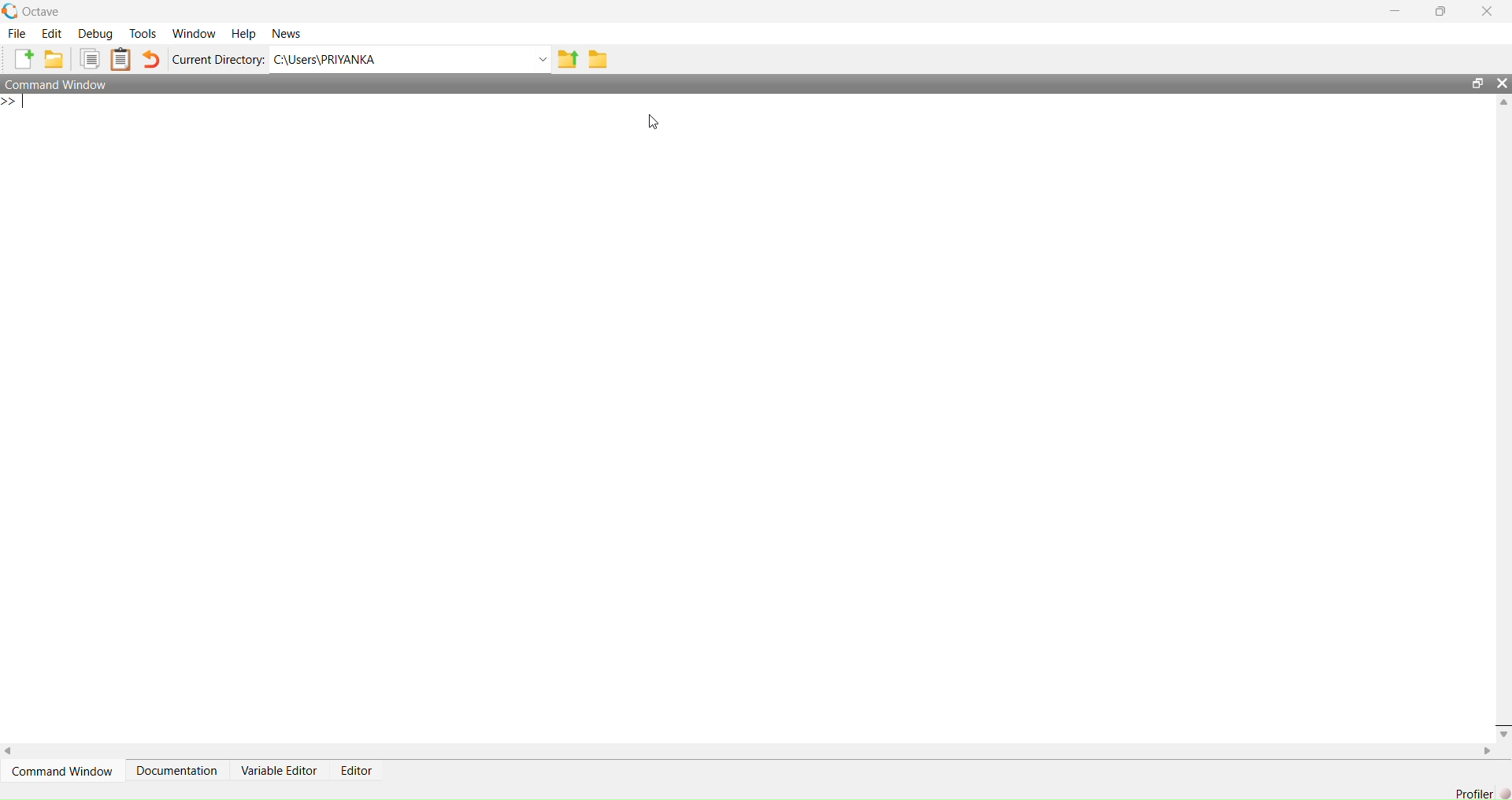 This screenshot has height=800, width=1512. Describe the element at coordinates (13, 102) in the screenshot. I see `>> ` at that location.